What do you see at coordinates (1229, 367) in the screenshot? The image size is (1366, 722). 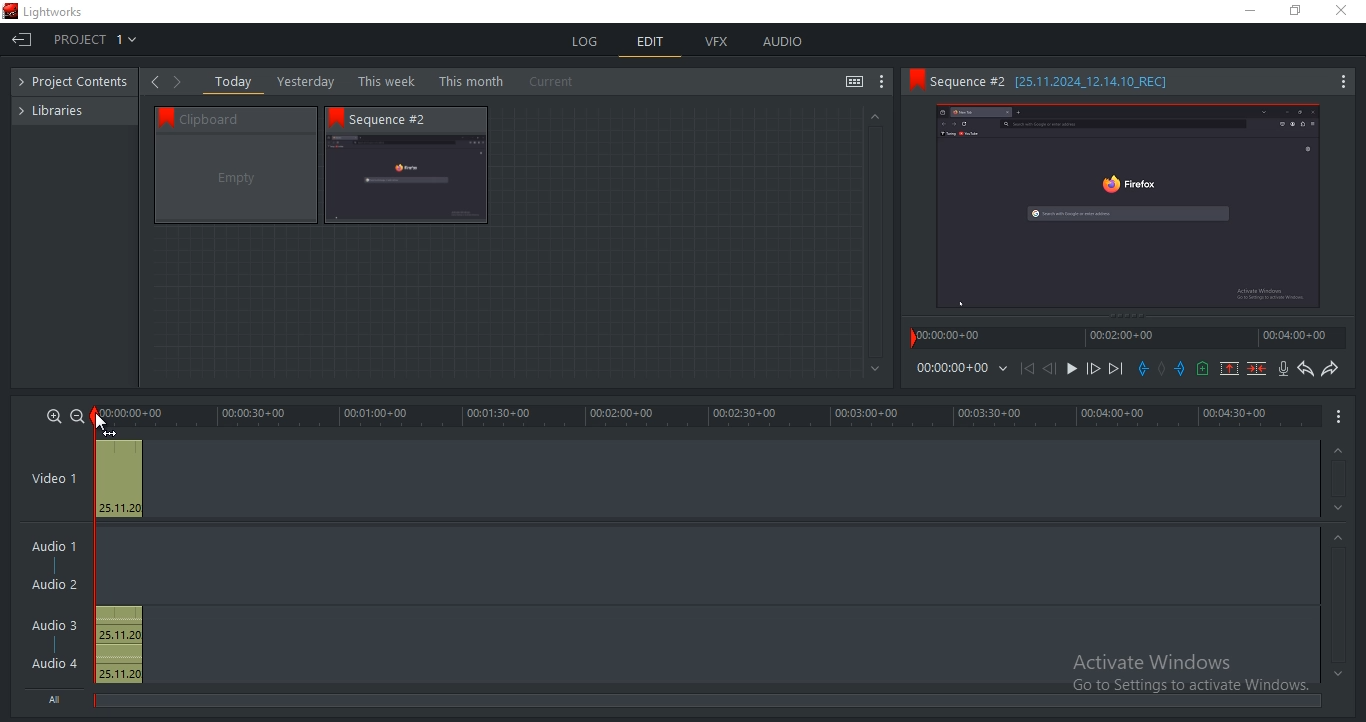 I see `remove marked section` at bounding box center [1229, 367].